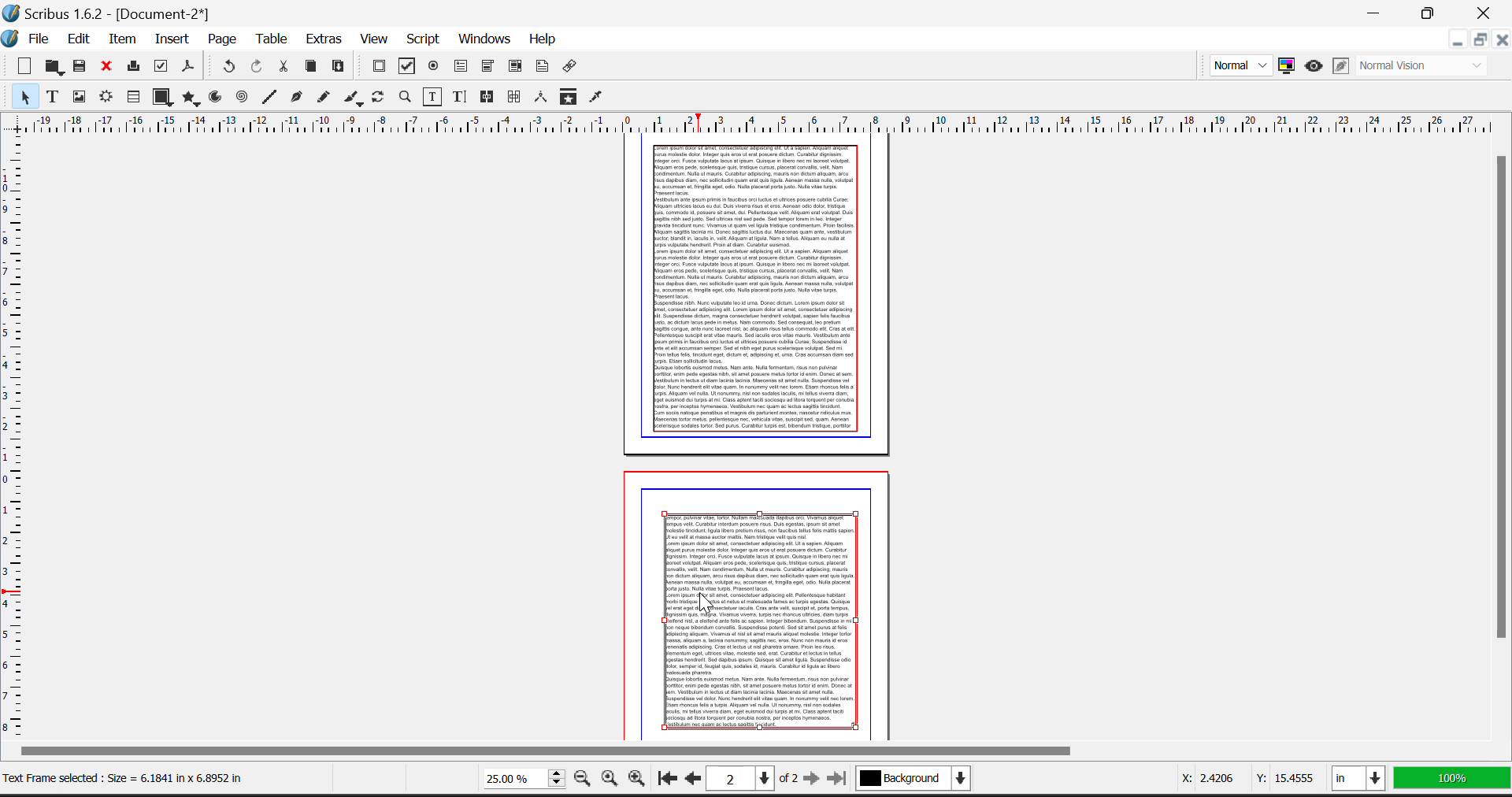 The image size is (1512, 797). What do you see at coordinates (487, 96) in the screenshot?
I see `Link Text Frames` at bounding box center [487, 96].